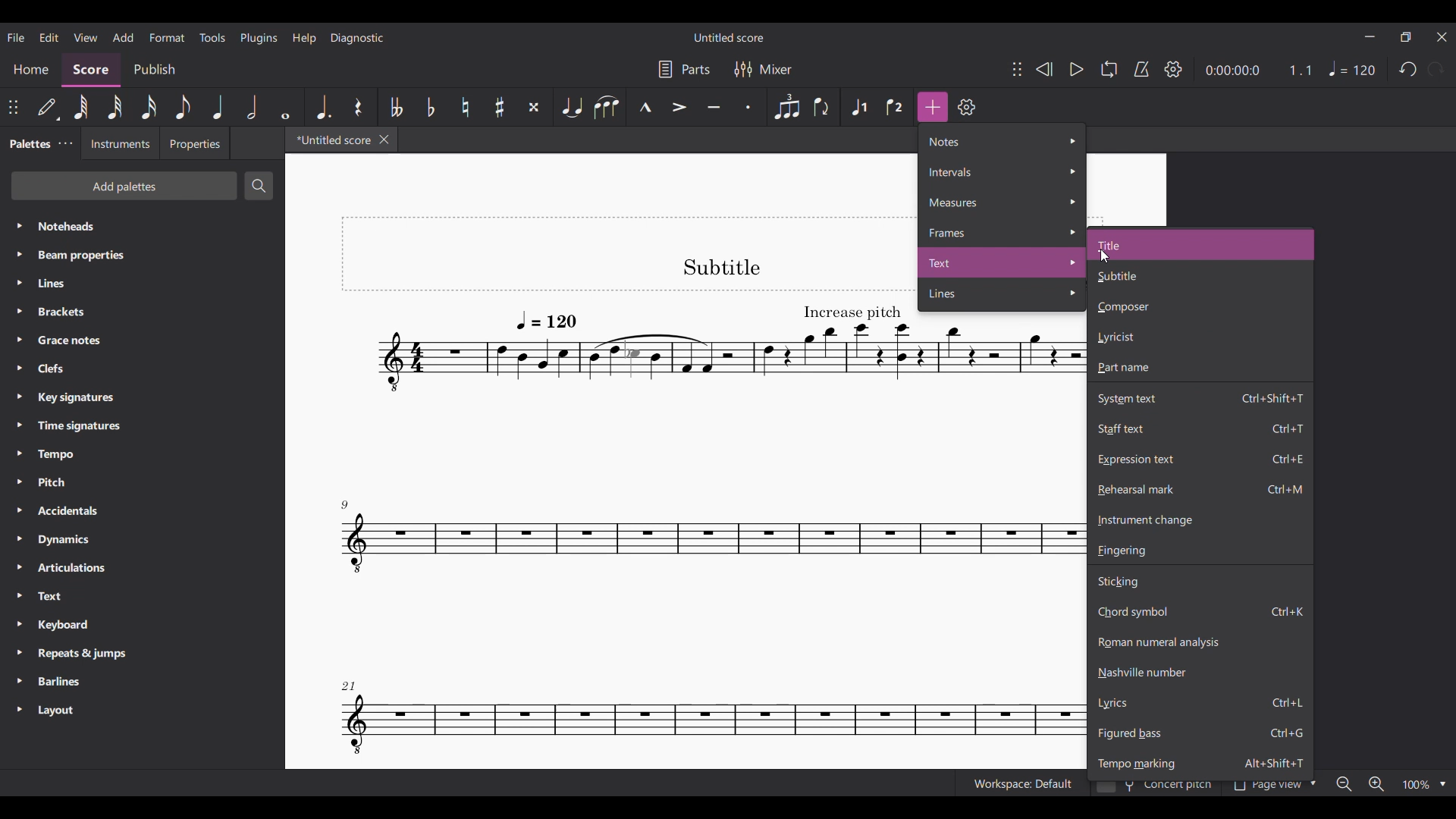 The height and width of the screenshot is (819, 1456). I want to click on Page view options, so click(1272, 788).